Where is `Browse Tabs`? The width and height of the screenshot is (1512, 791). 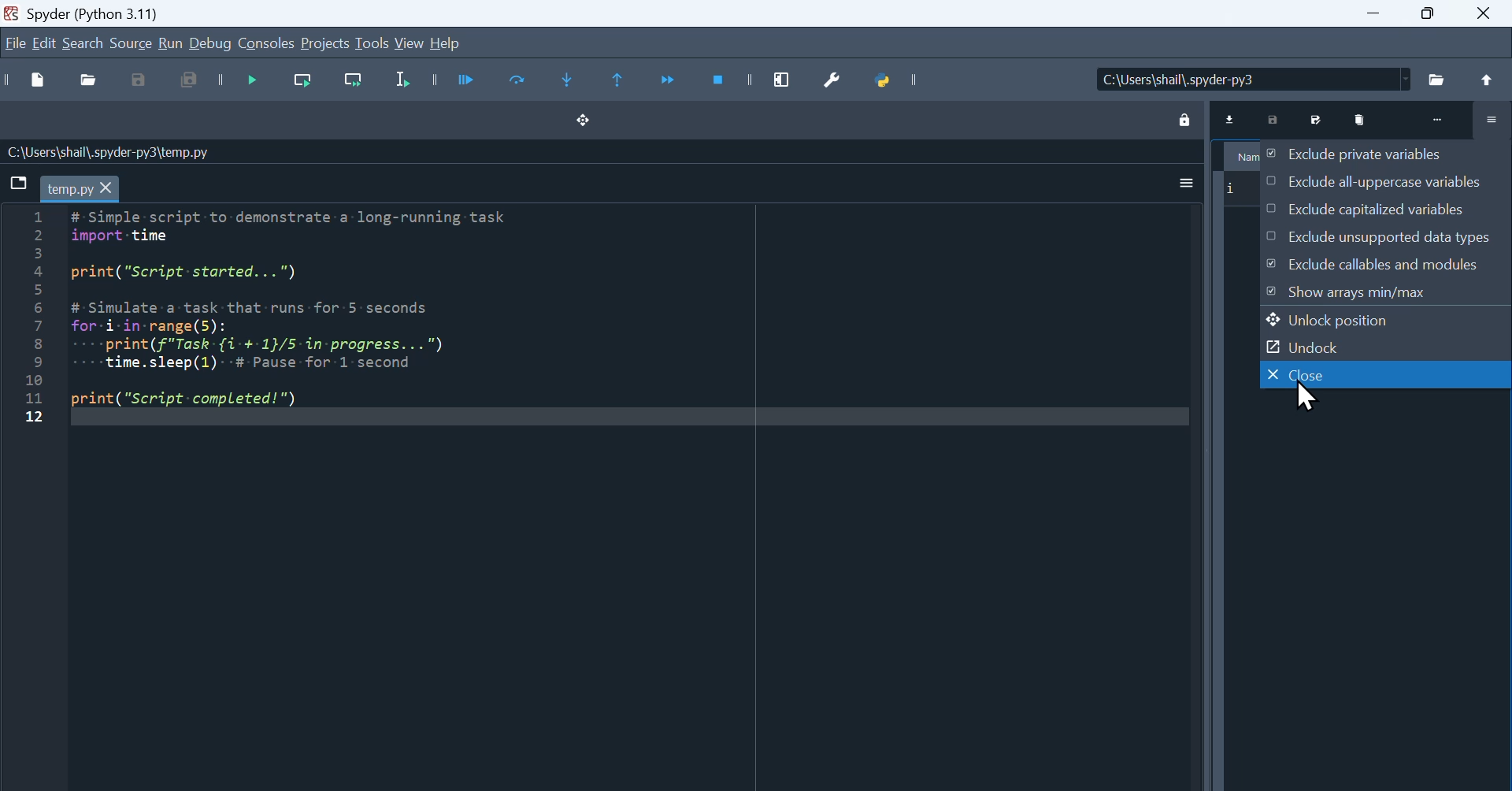
Browse Tabs is located at coordinates (17, 183).